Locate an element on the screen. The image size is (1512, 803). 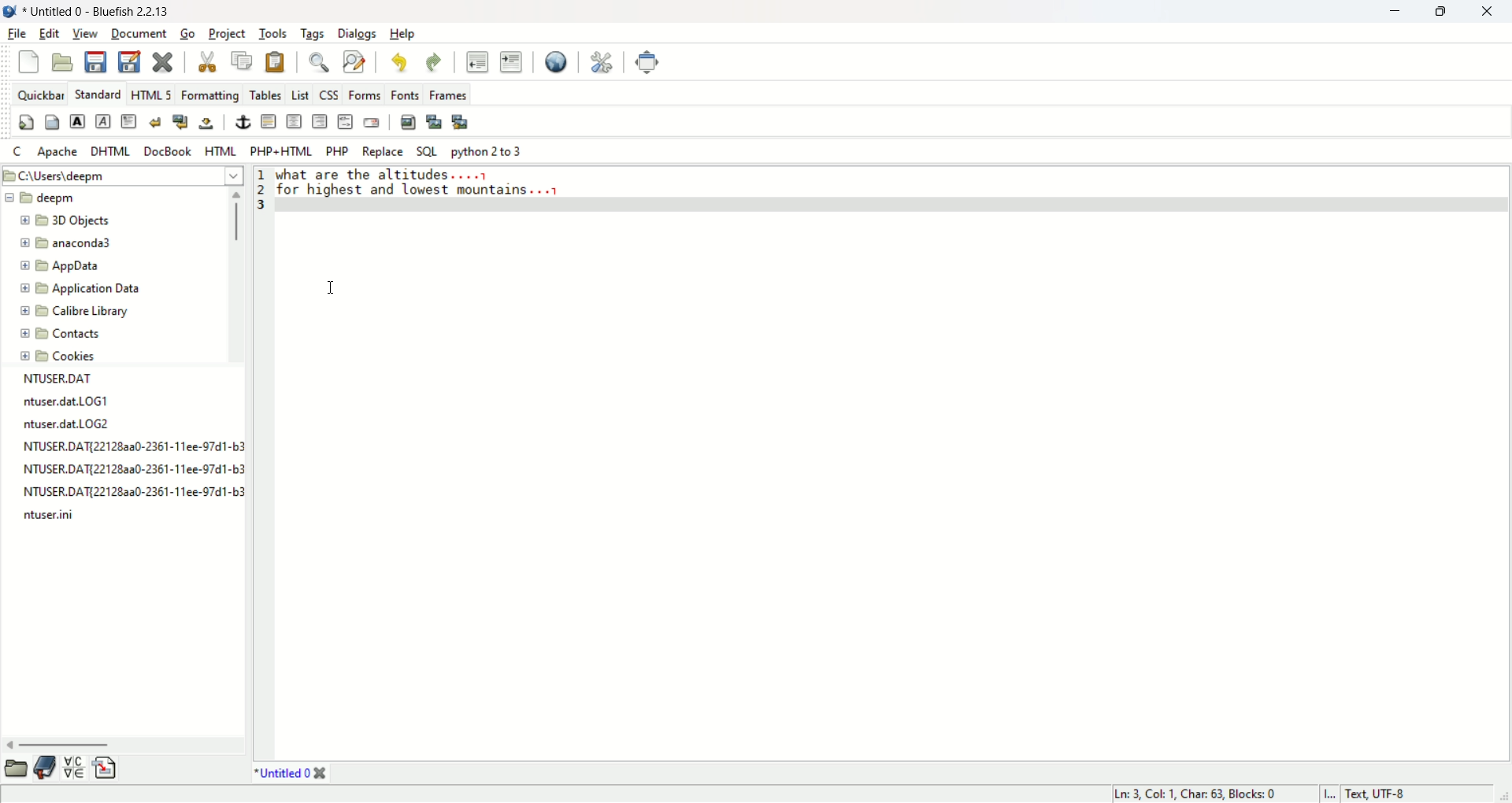
dialogs is located at coordinates (359, 35).